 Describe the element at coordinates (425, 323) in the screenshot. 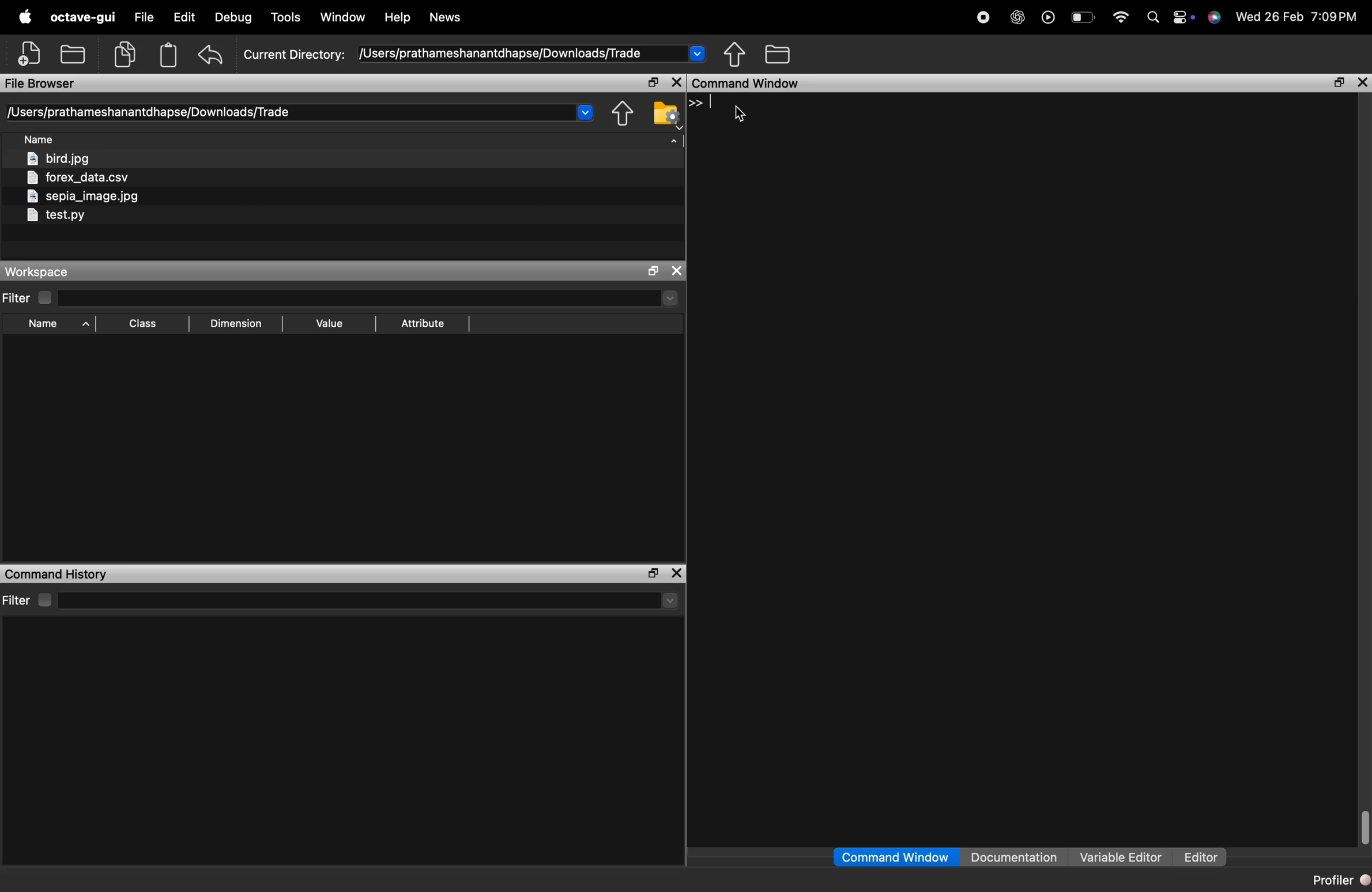

I see `sort by attribute` at that location.